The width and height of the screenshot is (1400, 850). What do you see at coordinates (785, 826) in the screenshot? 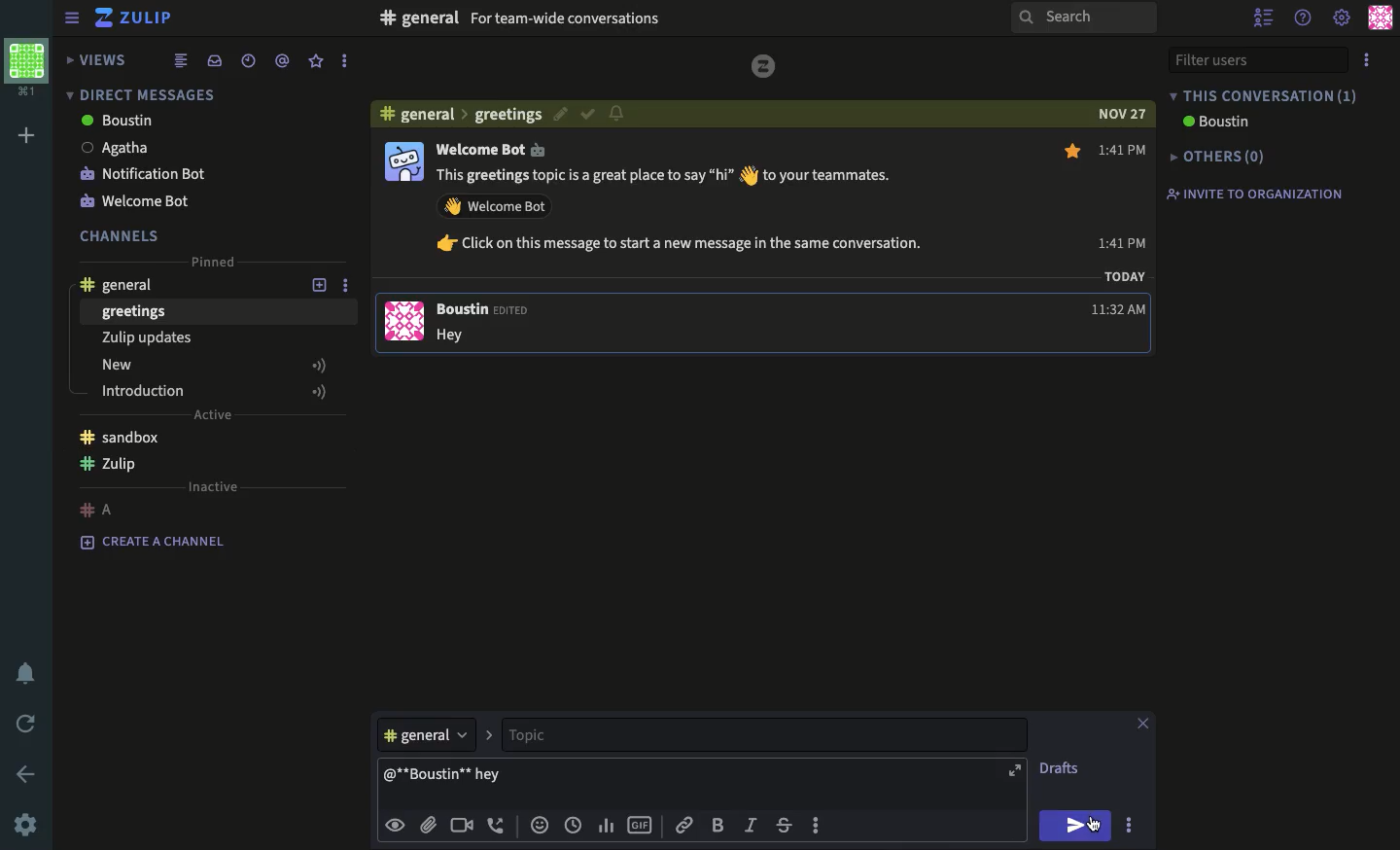
I see `strikethrough ` at bounding box center [785, 826].